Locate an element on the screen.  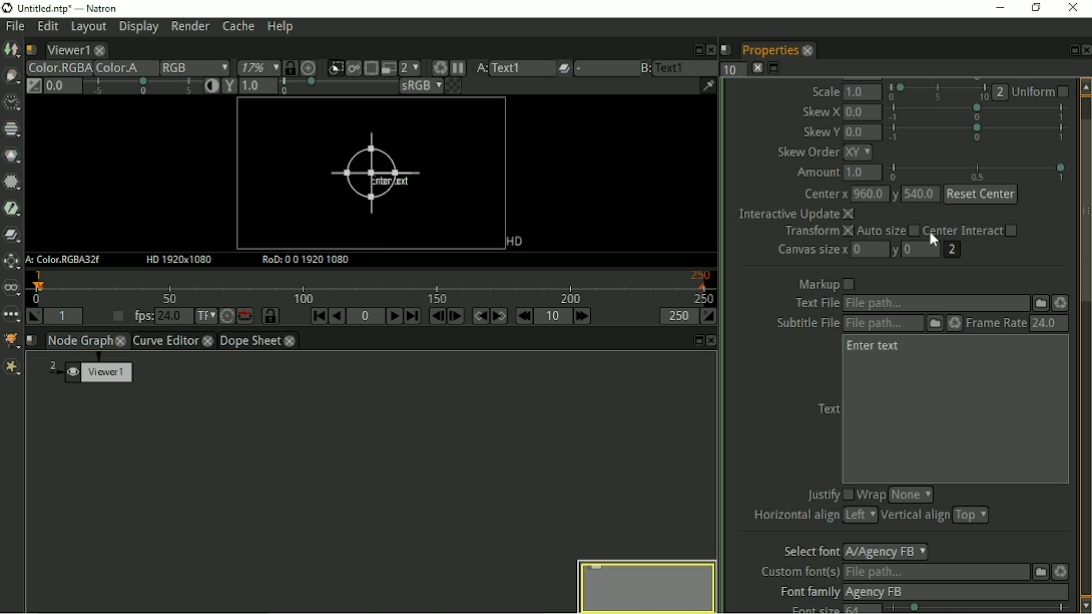
Enter text is located at coordinates (375, 175).